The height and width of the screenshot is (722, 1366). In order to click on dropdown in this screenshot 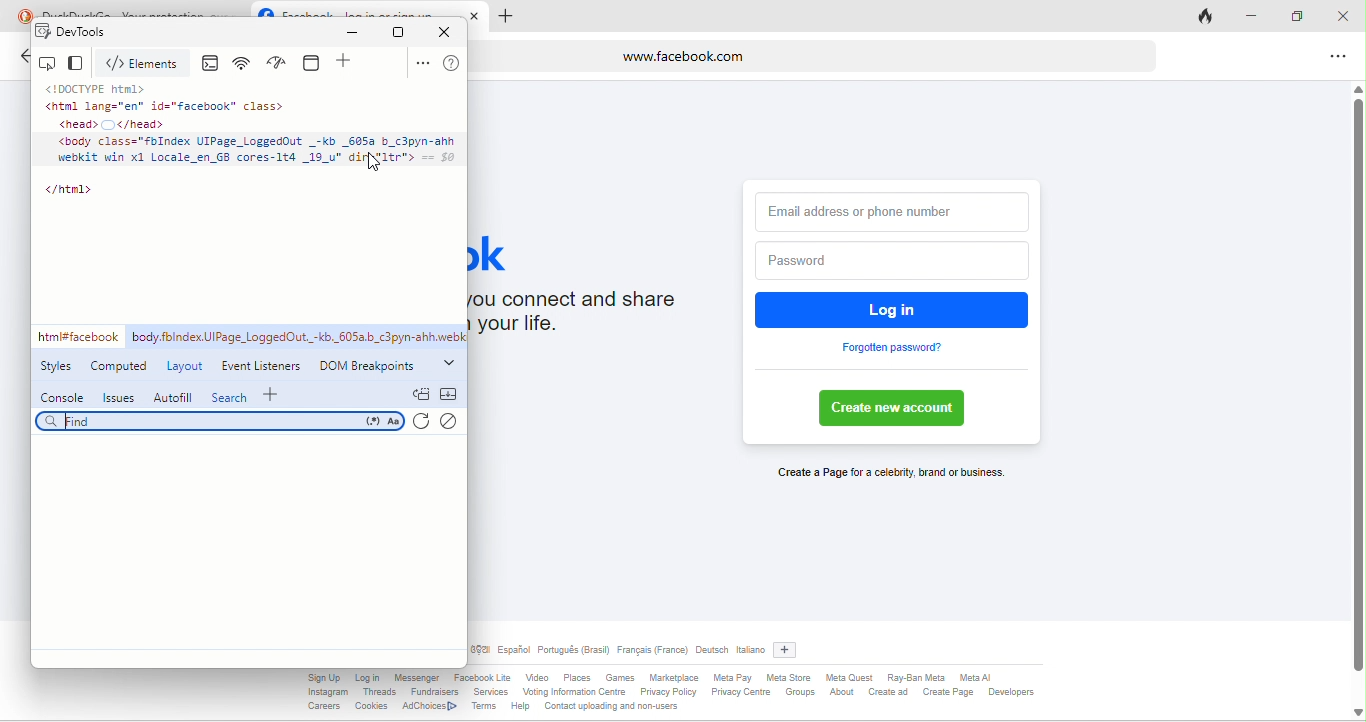, I will do `click(450, 361)`.